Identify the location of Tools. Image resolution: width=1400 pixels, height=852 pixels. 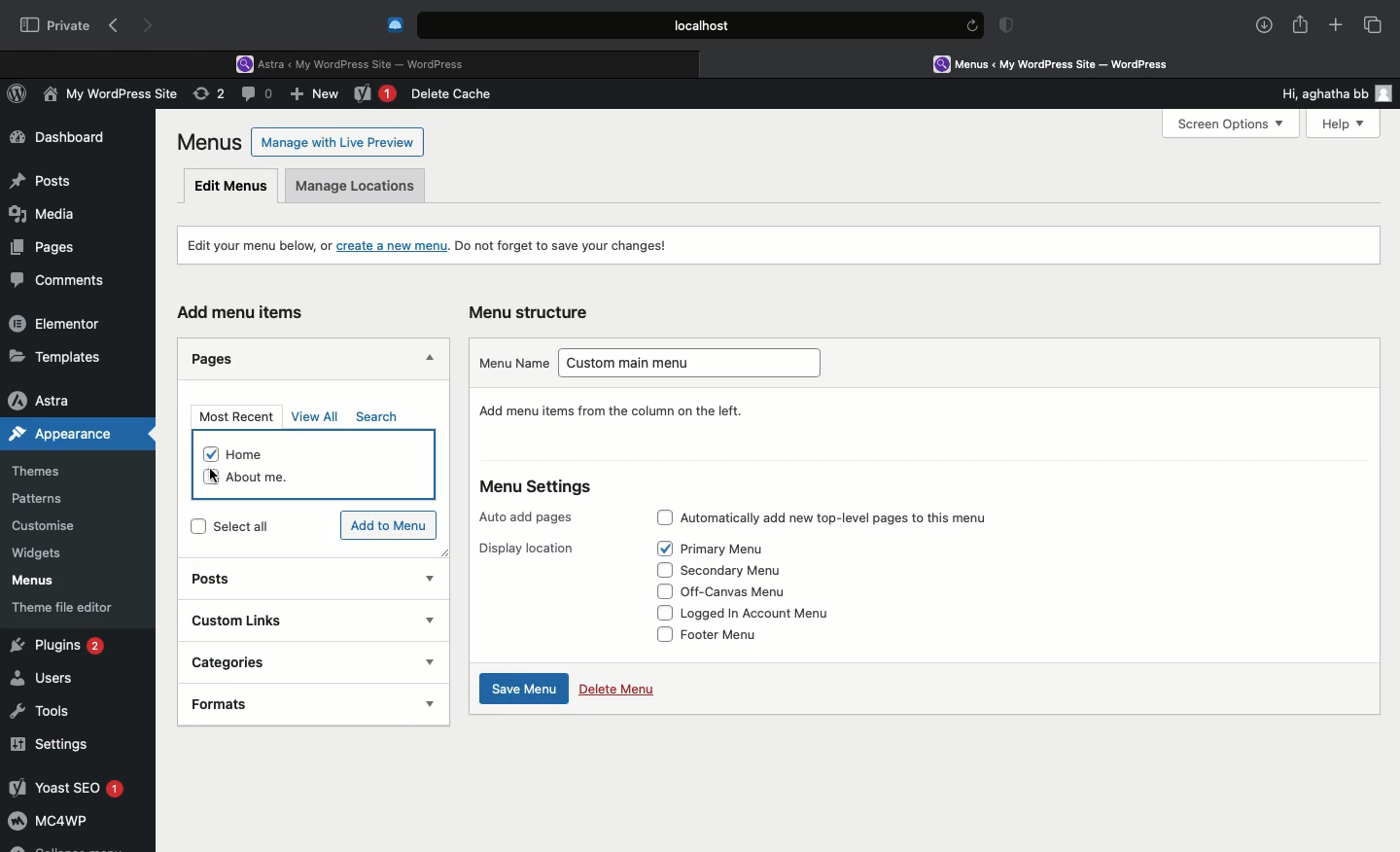
(42, 708).